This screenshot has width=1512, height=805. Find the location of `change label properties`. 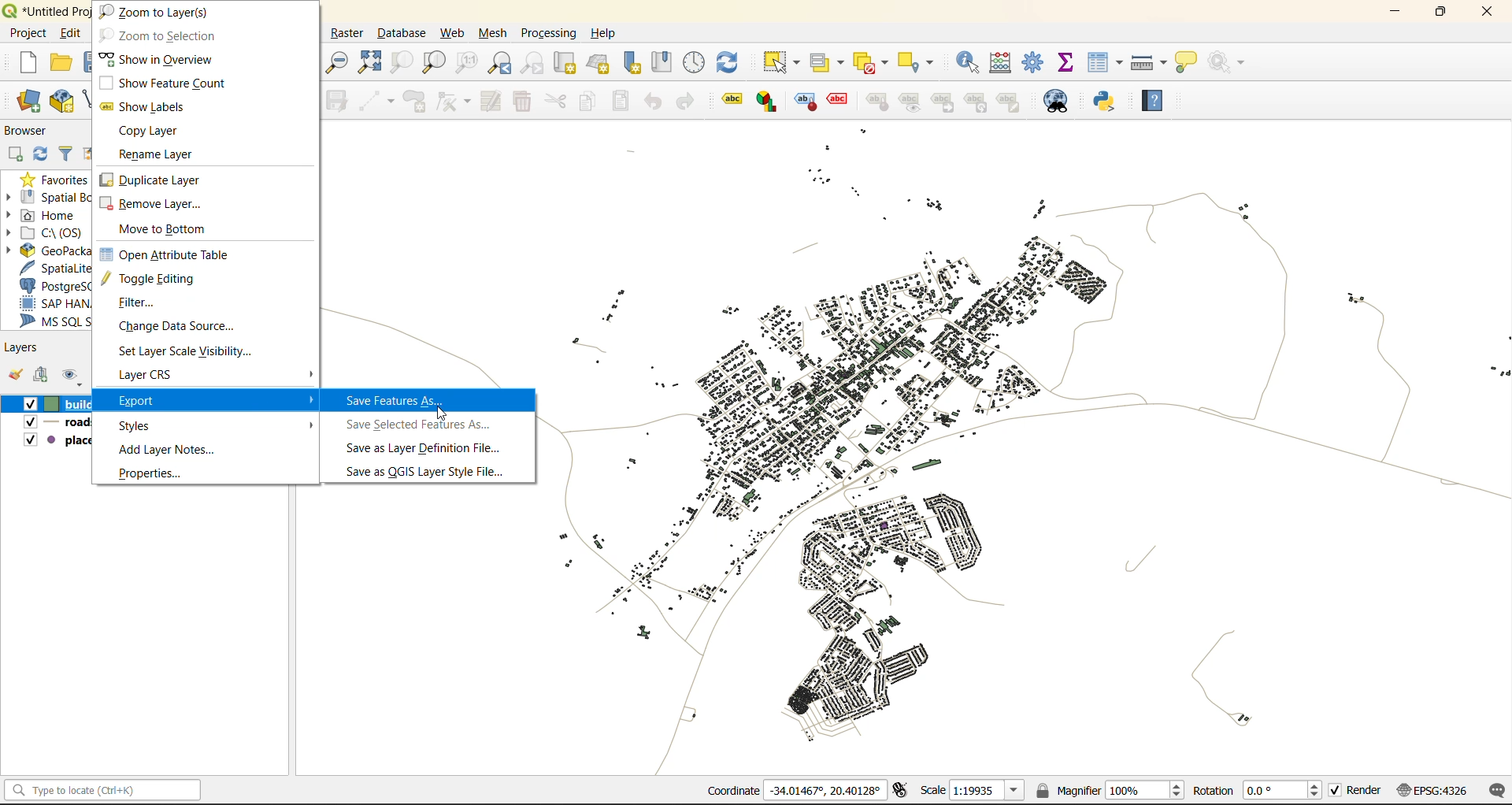

change label properties is located at coordinates (1008, 102).